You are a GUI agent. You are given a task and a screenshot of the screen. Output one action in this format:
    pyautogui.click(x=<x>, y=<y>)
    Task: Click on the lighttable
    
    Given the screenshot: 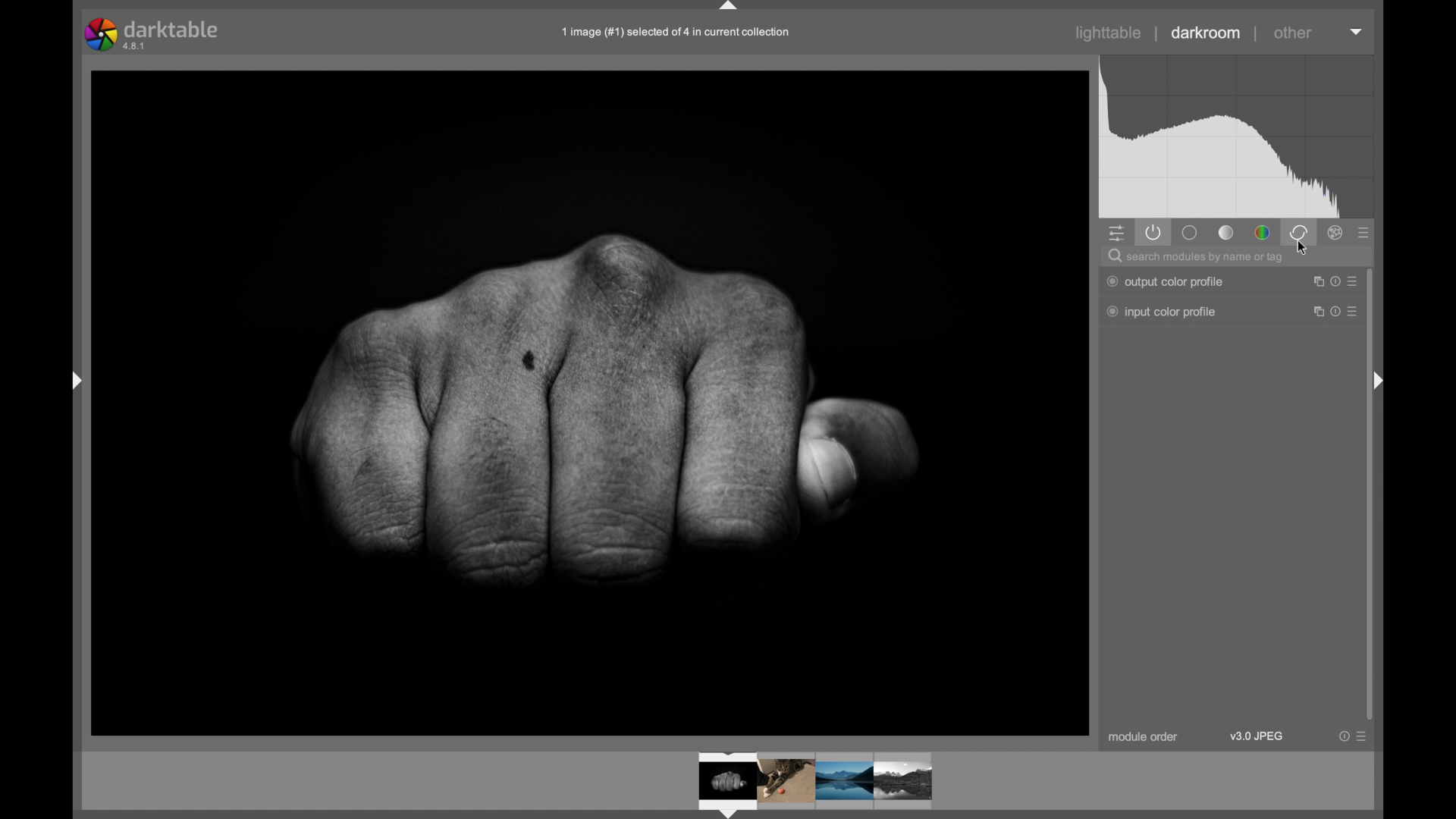 What is the action you would take?
    pyautogui.click(x=1109, y=33)
    